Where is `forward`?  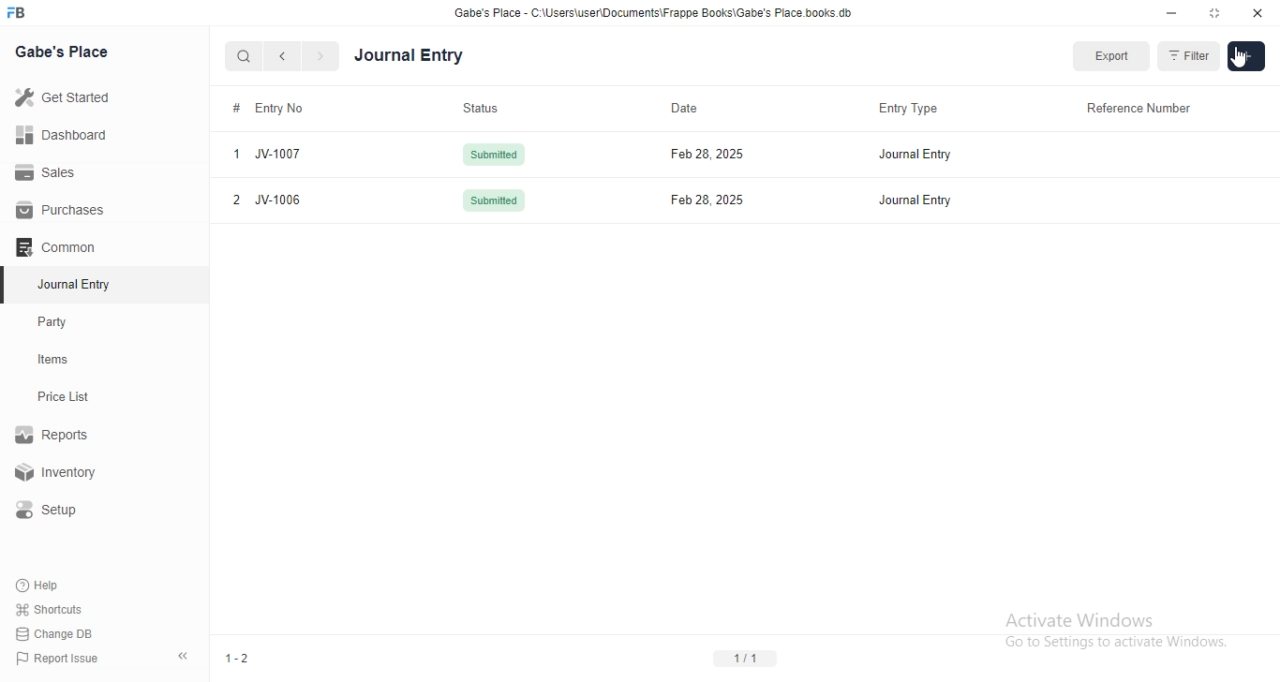
forward is located at coordinates (322, 56).